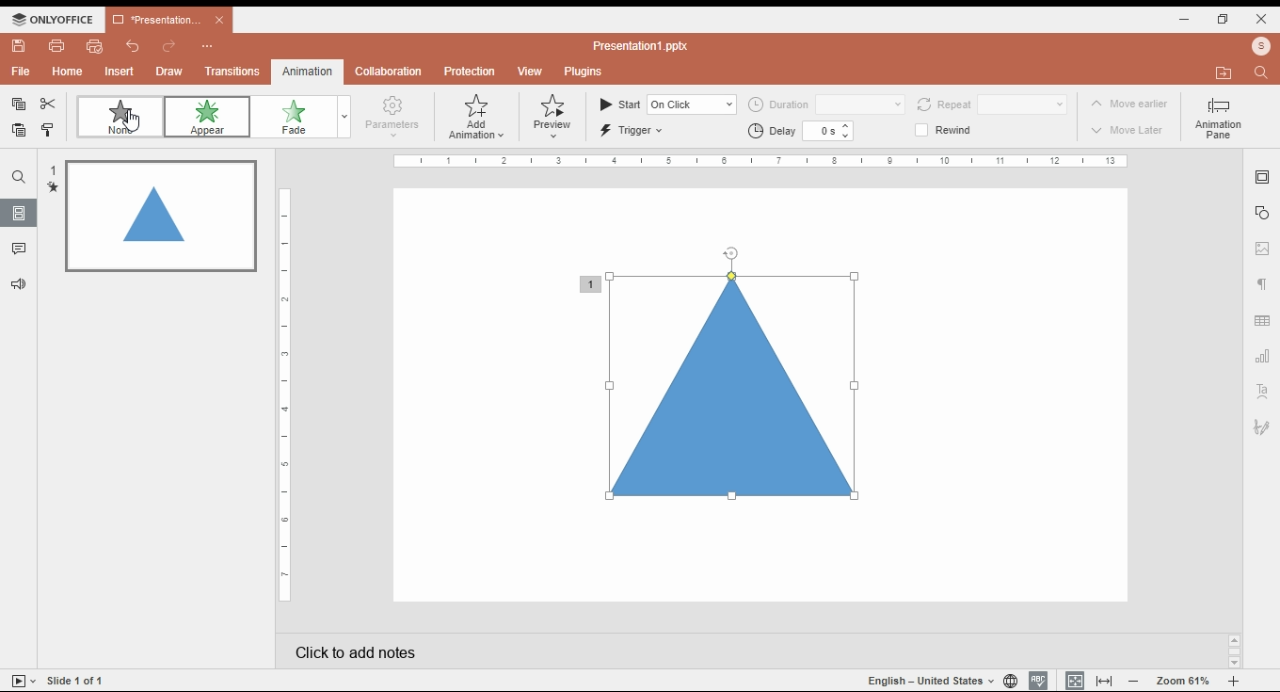 This screenshot has width=1280, height=692. What do you see at coordinates (209, 117) in the screenshot?
I see `animation: appear` at bounding box center [209, 117].